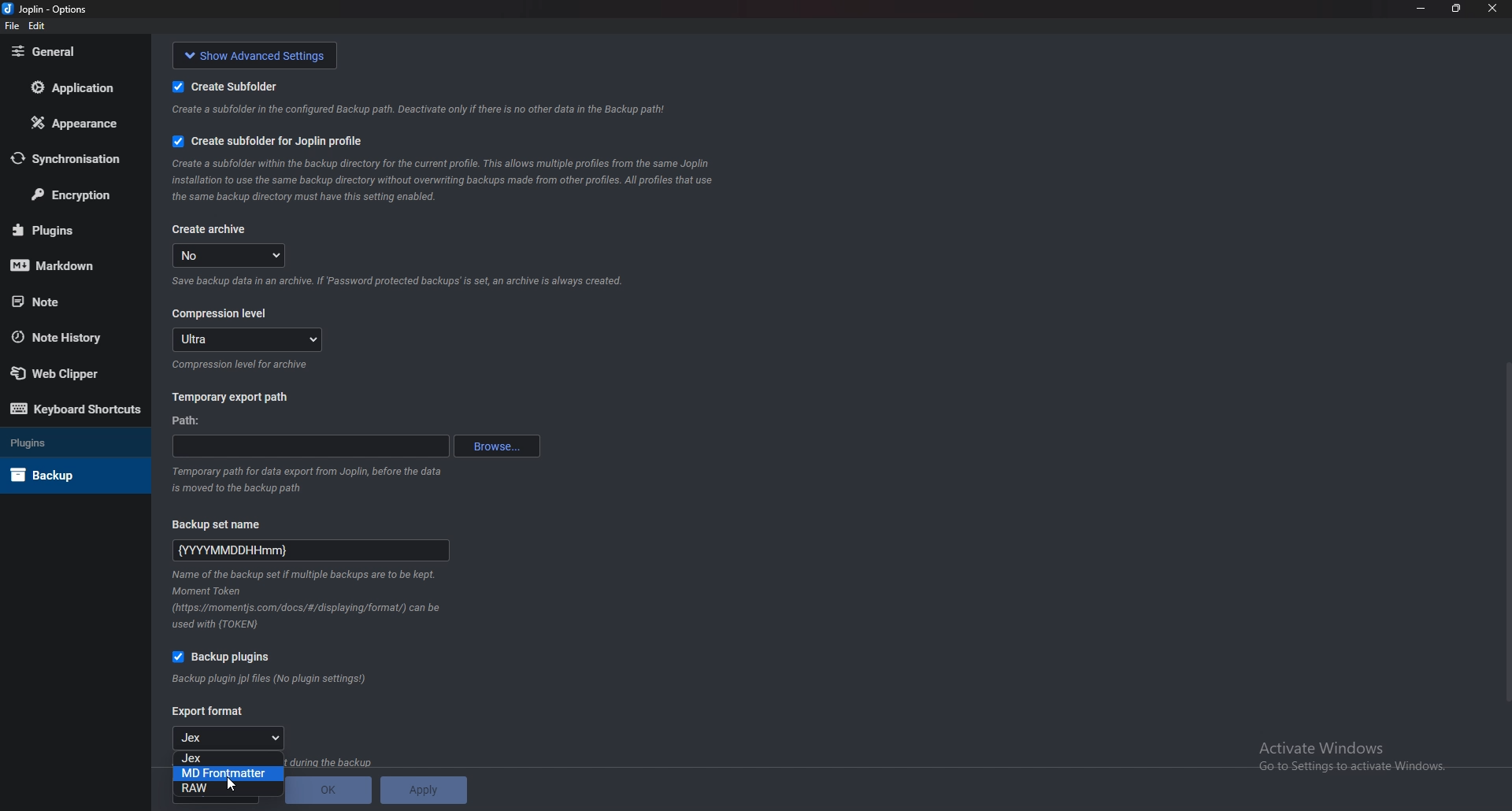 This screenshot has width=1512, height=811. What do you see at coordinates (229, 758) in the screenshot?
I see `jex` at bounding box center [229, 758].